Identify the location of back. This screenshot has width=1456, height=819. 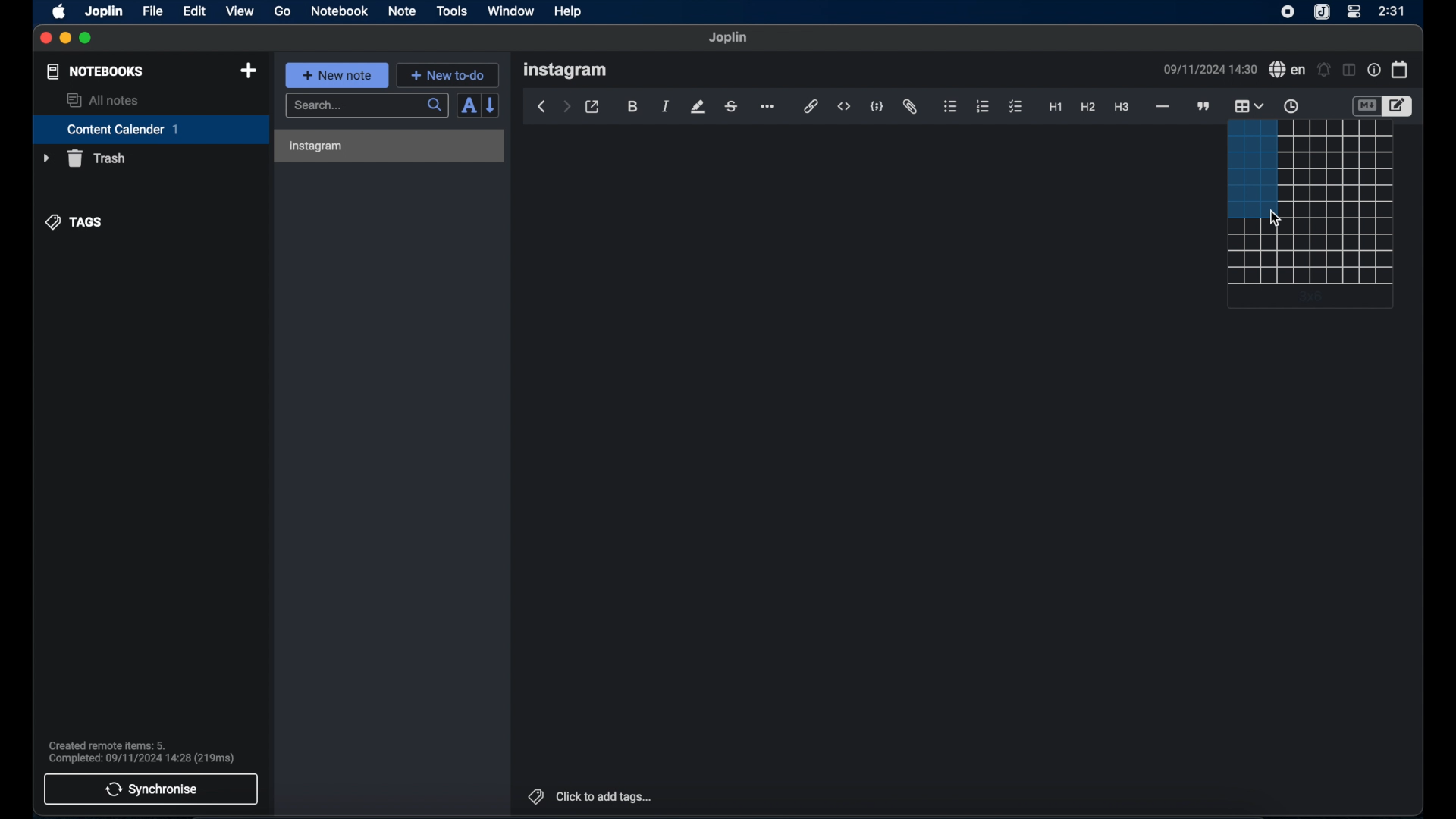
(539, 107).